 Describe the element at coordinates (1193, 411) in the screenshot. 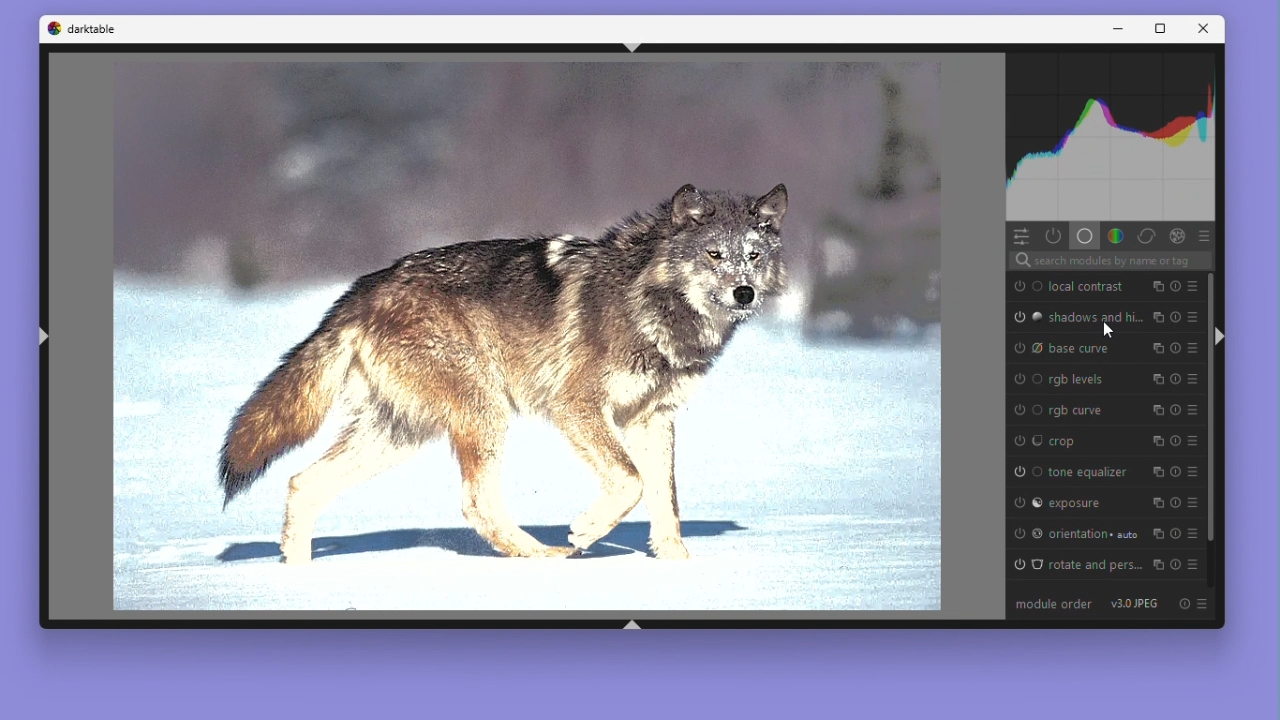

I see `presets` at that location.